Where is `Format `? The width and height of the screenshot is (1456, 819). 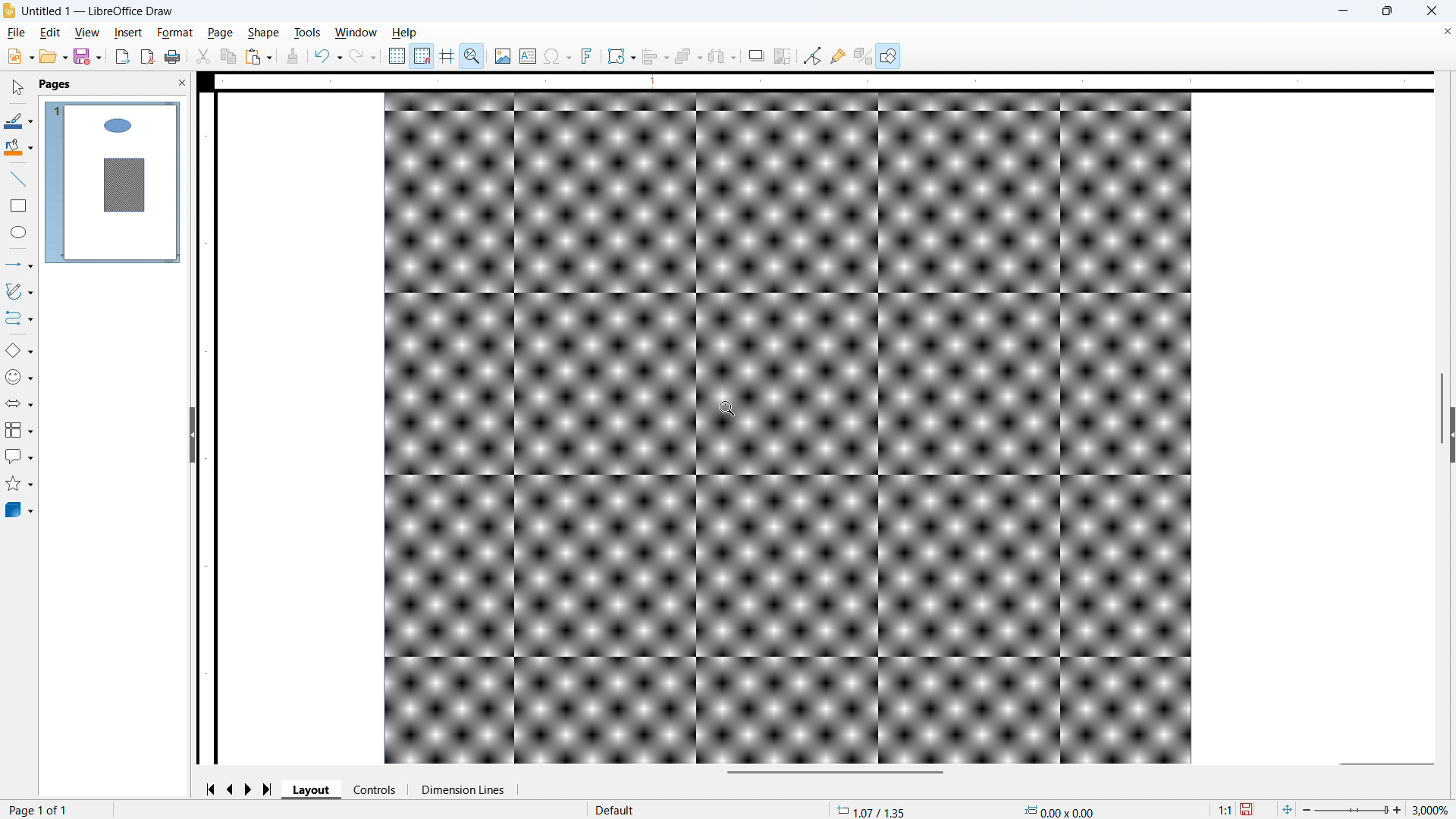 Format  is located at coordinates (176, 33).